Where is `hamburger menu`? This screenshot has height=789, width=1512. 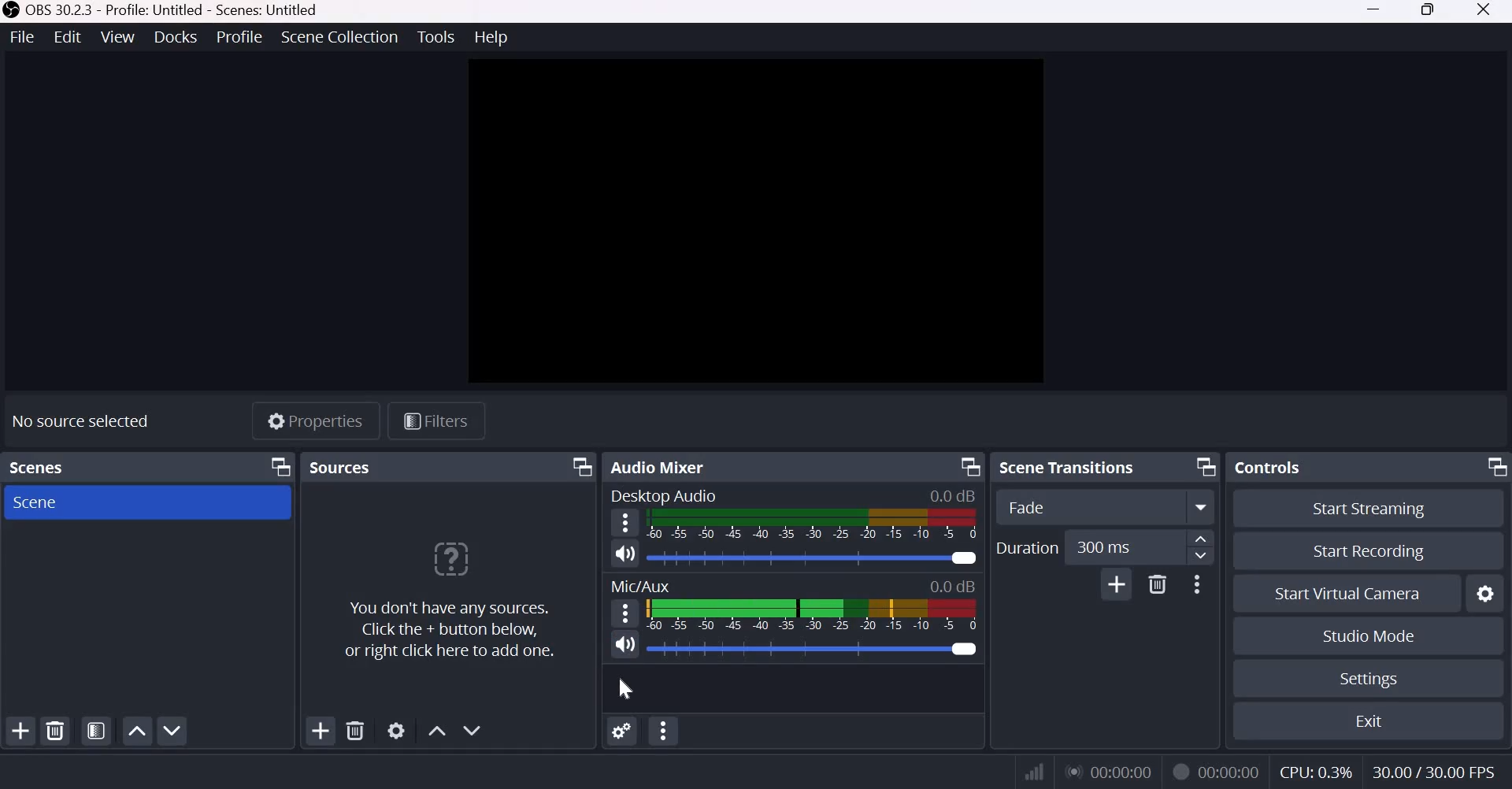
hamburger menu is located at coordinates (622, 523).